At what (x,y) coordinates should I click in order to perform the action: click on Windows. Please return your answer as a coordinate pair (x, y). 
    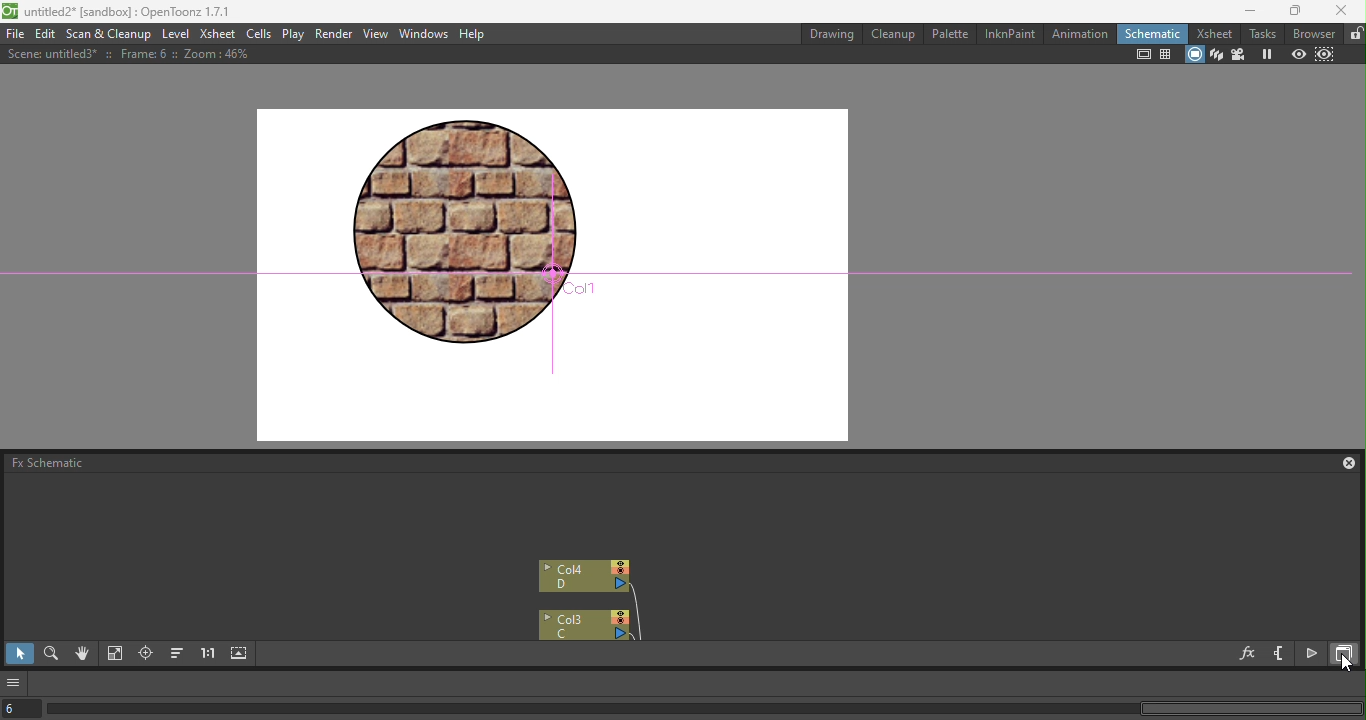
    Looking at the image, I should click on (426, 34).